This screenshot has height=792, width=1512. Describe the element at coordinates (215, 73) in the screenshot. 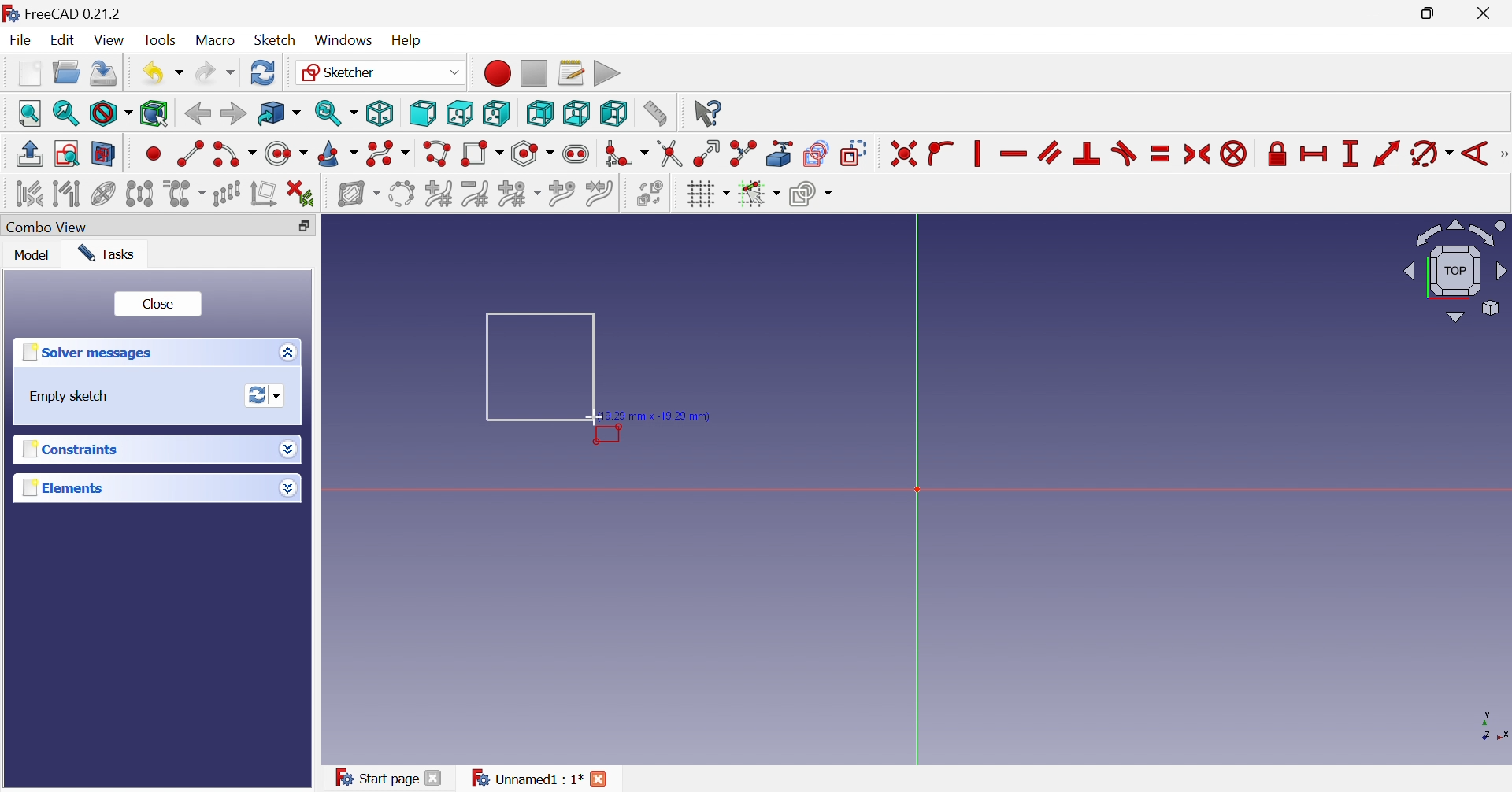

I see `Redo` at that location.